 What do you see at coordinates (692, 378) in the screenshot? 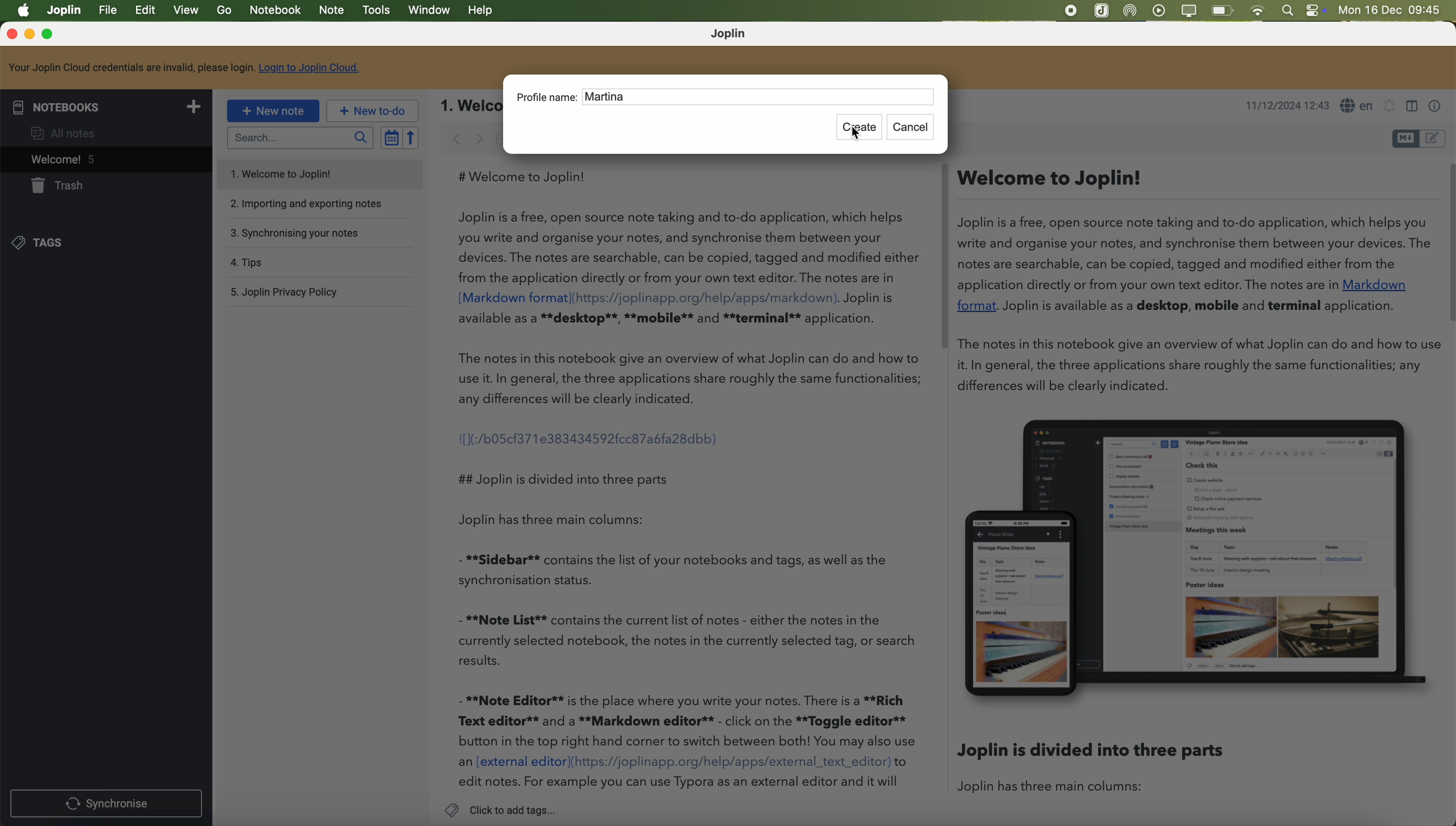
I see `The notes in this notebook give an overview of what Joplin can do and how to
use it. In general, the three applications share roughly the same functionalities;
any differences will be clearly indicated.` at bounding box center [692, 378].